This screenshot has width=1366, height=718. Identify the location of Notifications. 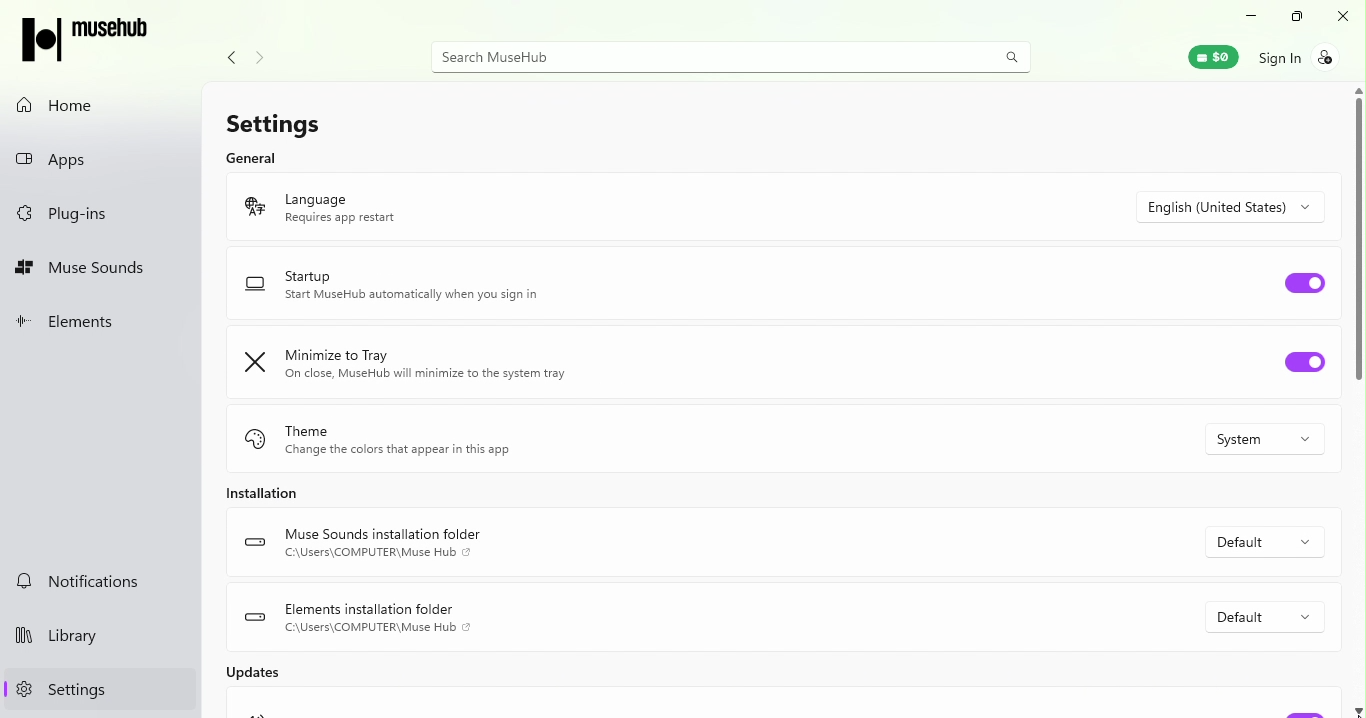
(76, 581).